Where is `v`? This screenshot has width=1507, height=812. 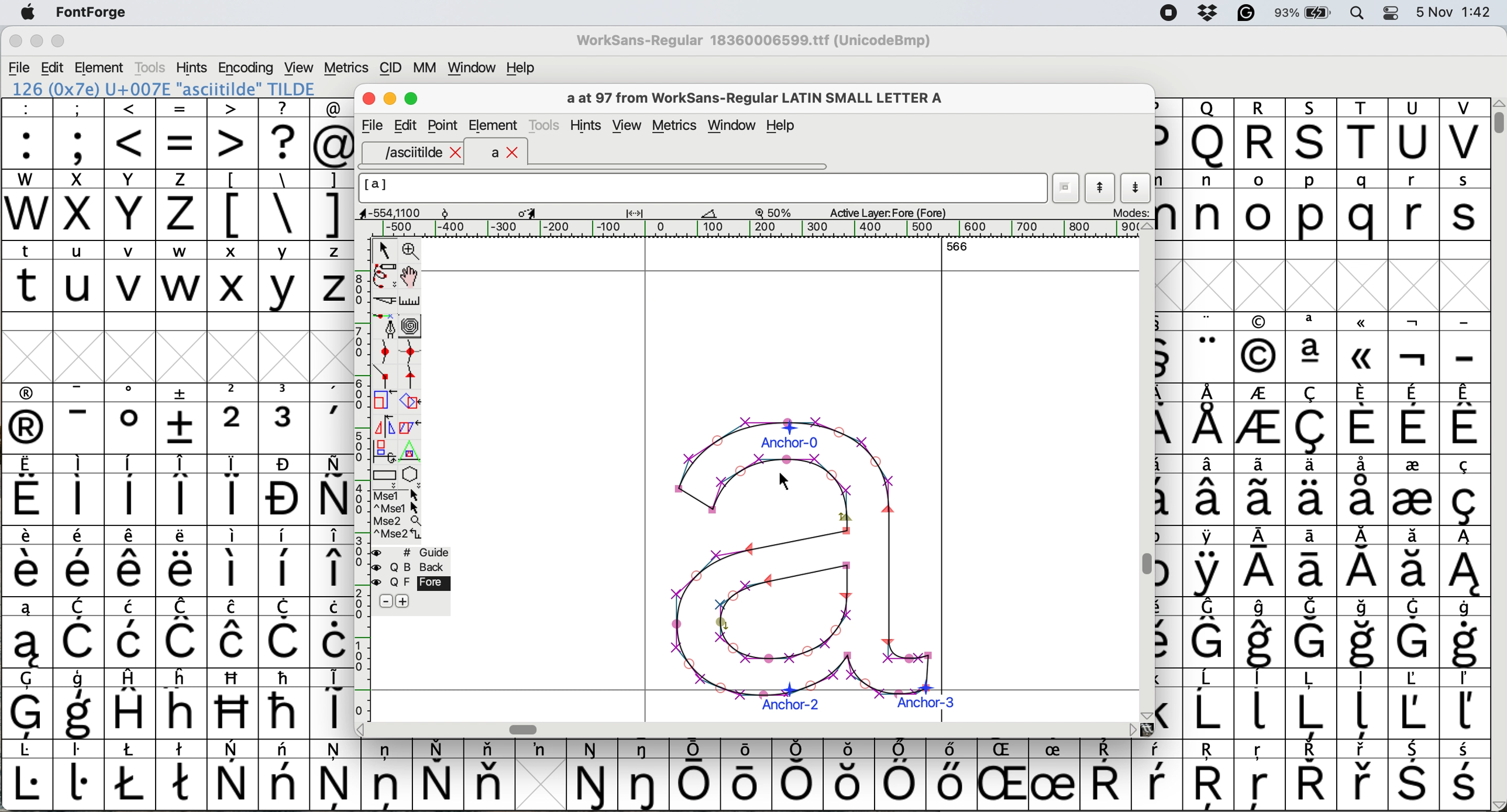
v is located at coordinates (130, 278).